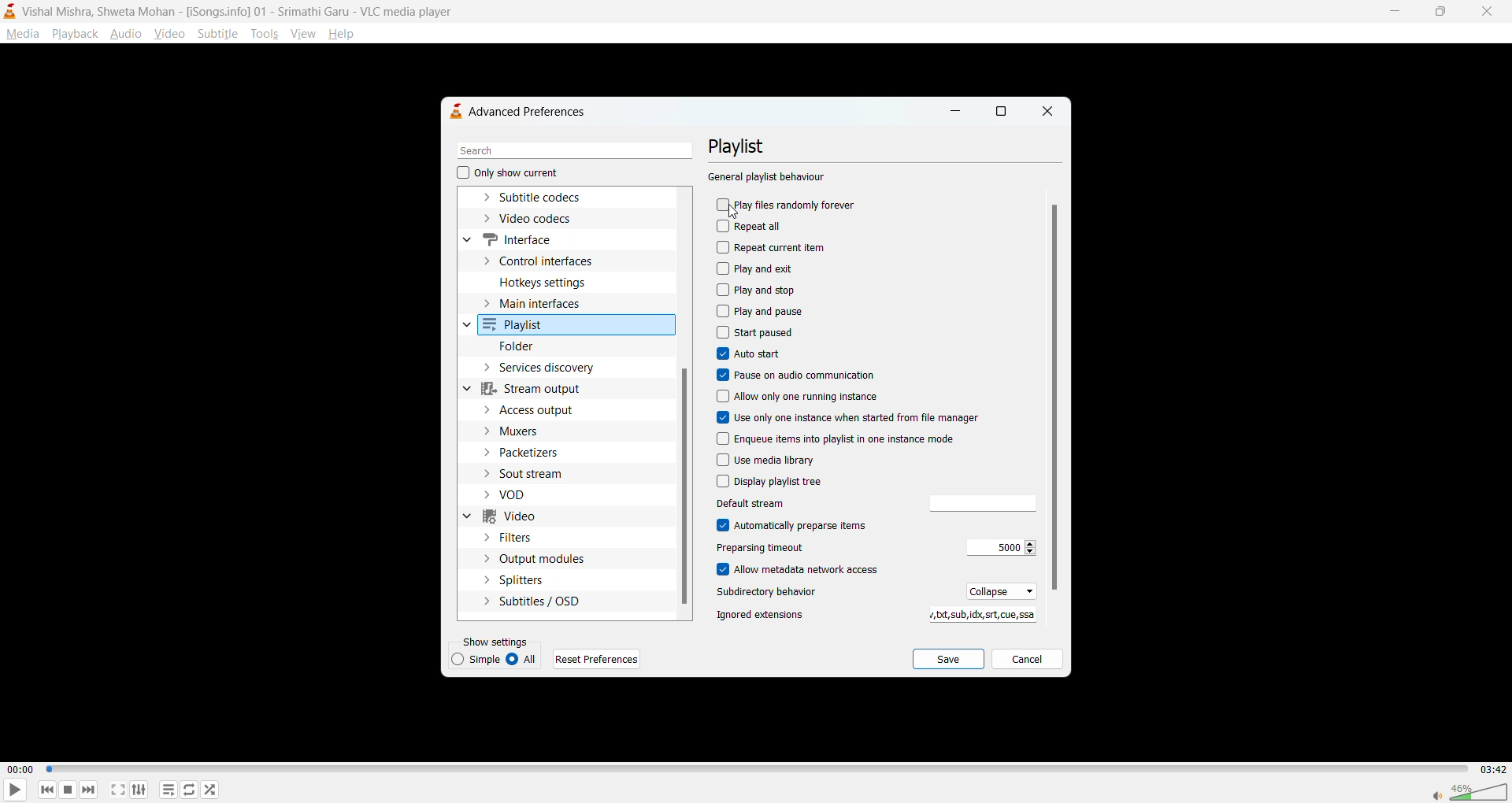 This screenshot has width=1512, height=803. Describe the element at coordinates (569, 151) in the screenshot. I see `search` at that location.